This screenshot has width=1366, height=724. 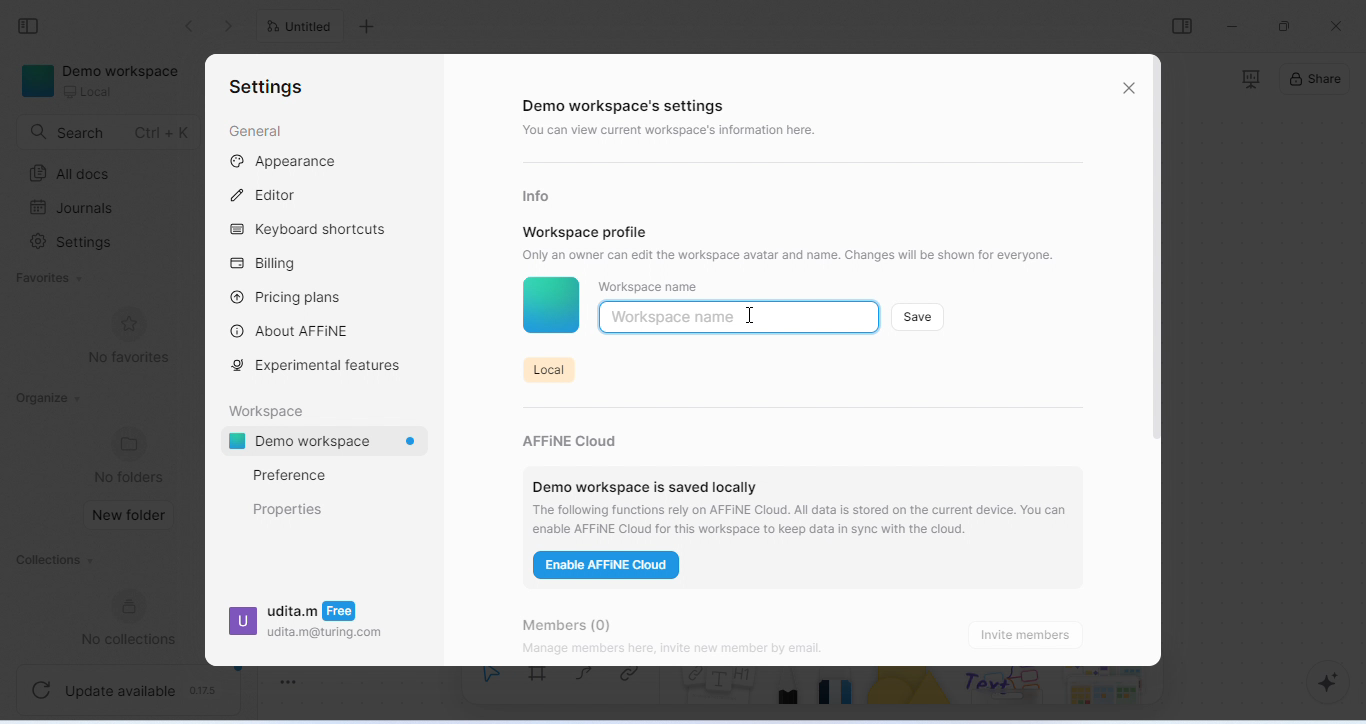 I want to click on close, so click(x=1129, y=87).